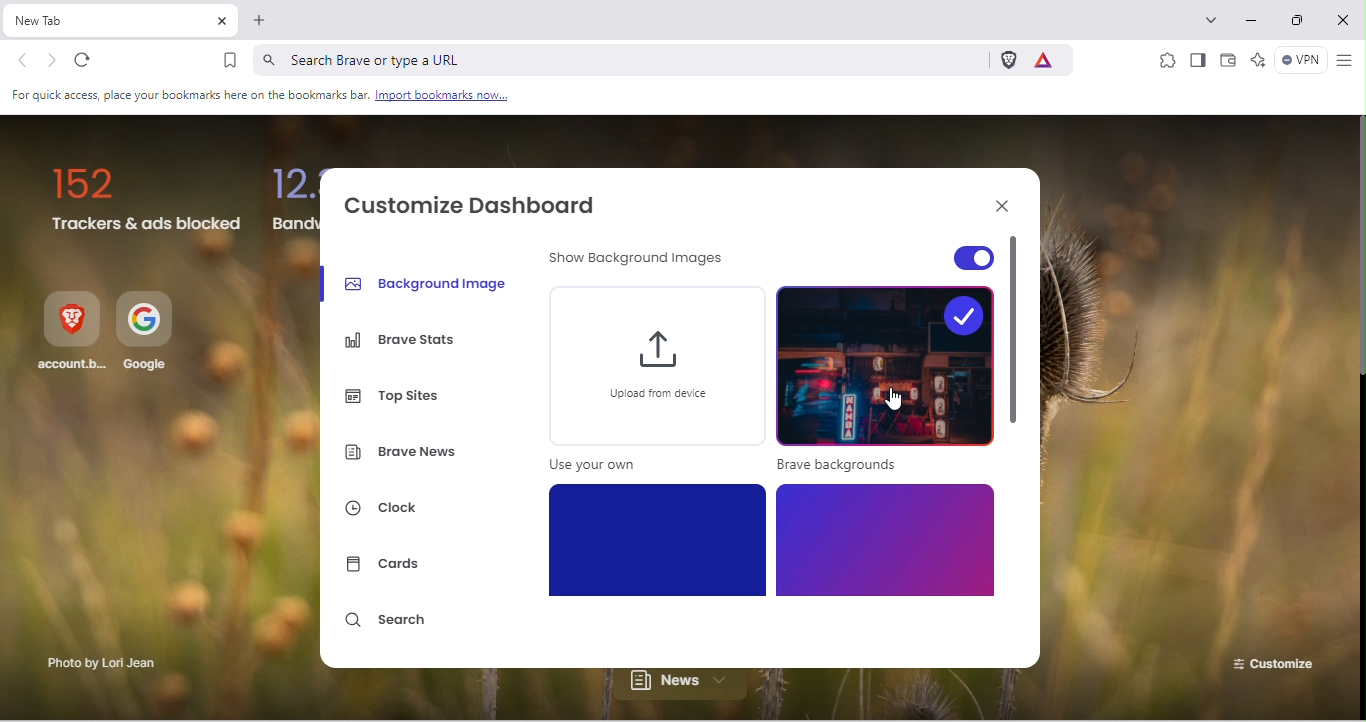 The image size is (1366, 722). I want to click on Maximize, so click(1302, 23).